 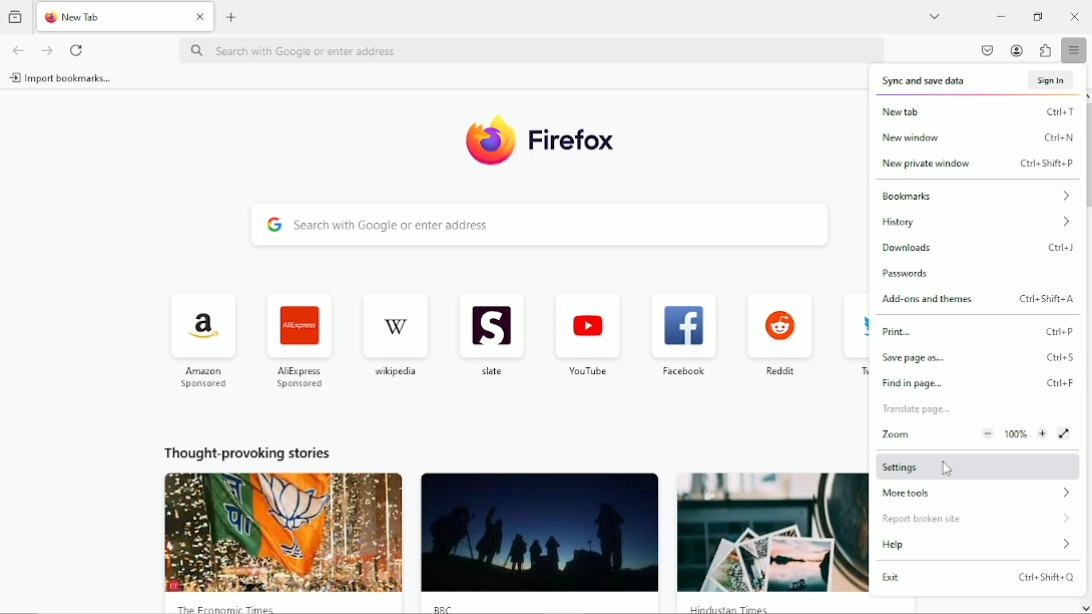 What do you see at coordinates (990, 434) in the screenshot?
I see `decrease` at bounding box center [990, 434].